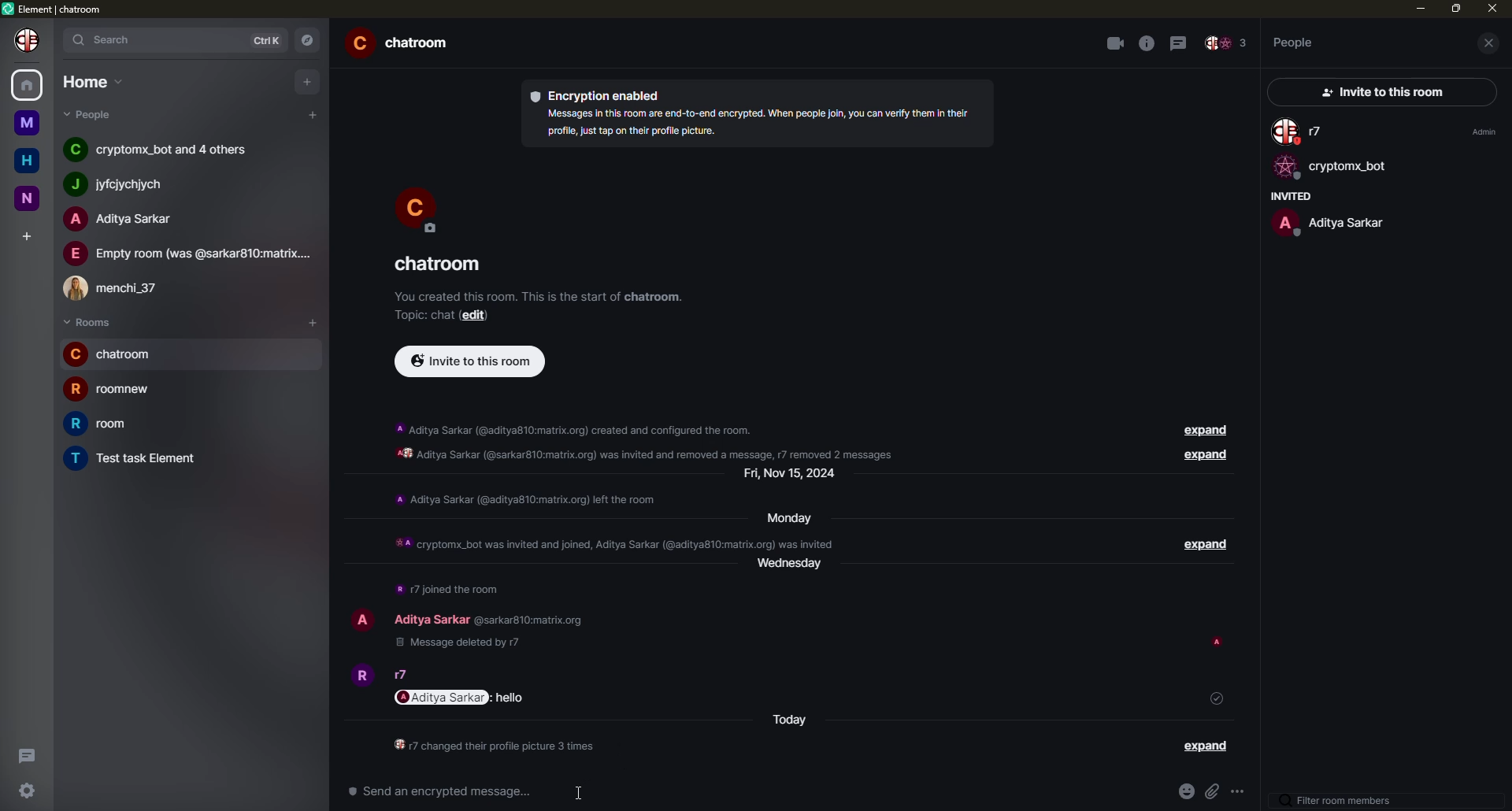 Image resolution: width=1512 pixels, height=811 pixels. I want to click on info, so click(496, 747).